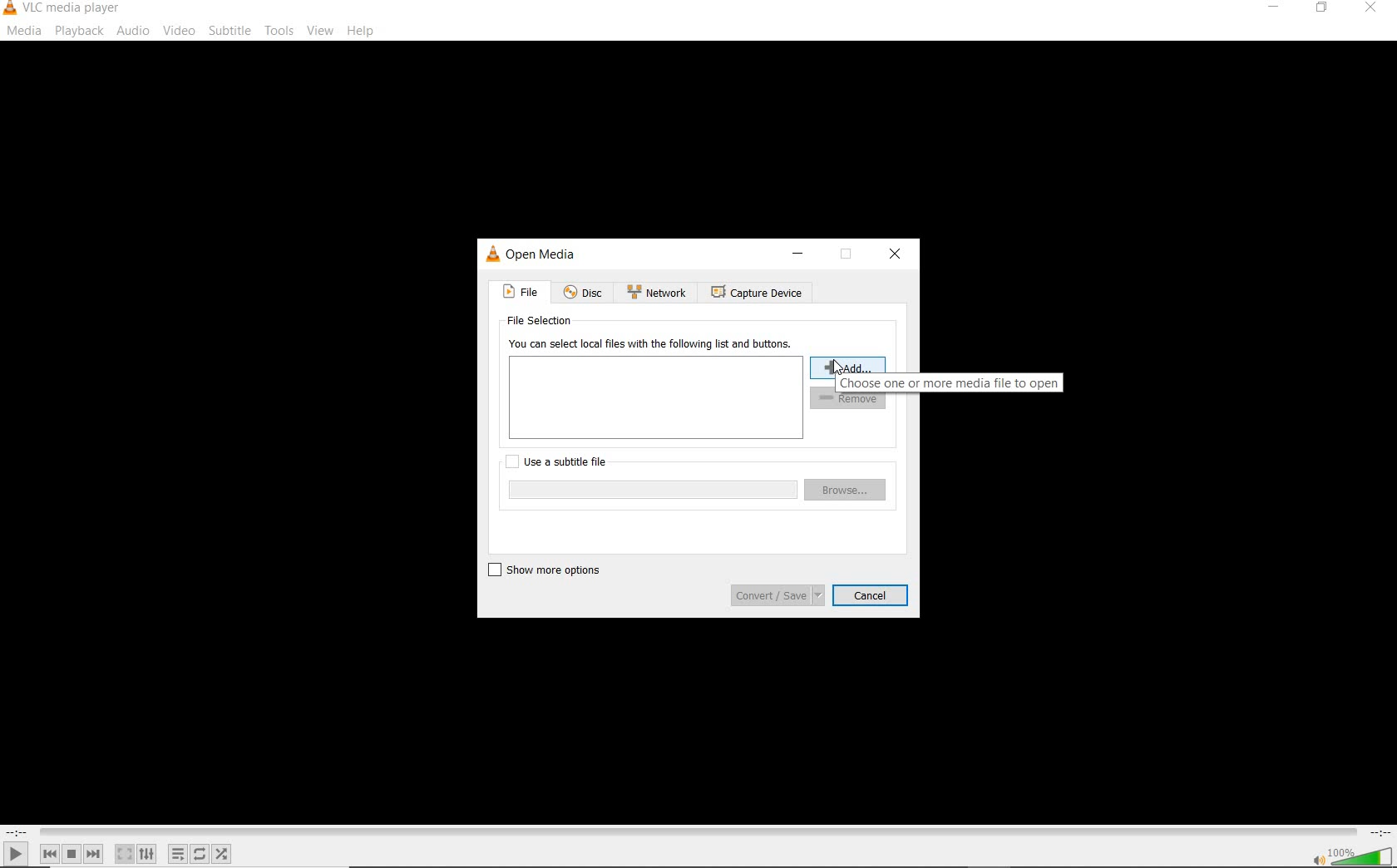 This screenshot has height=868, width=1397. What do you see at coordinates (754, 293) in the screenshot?
I see `capture device` at bounding box center [754, 293].